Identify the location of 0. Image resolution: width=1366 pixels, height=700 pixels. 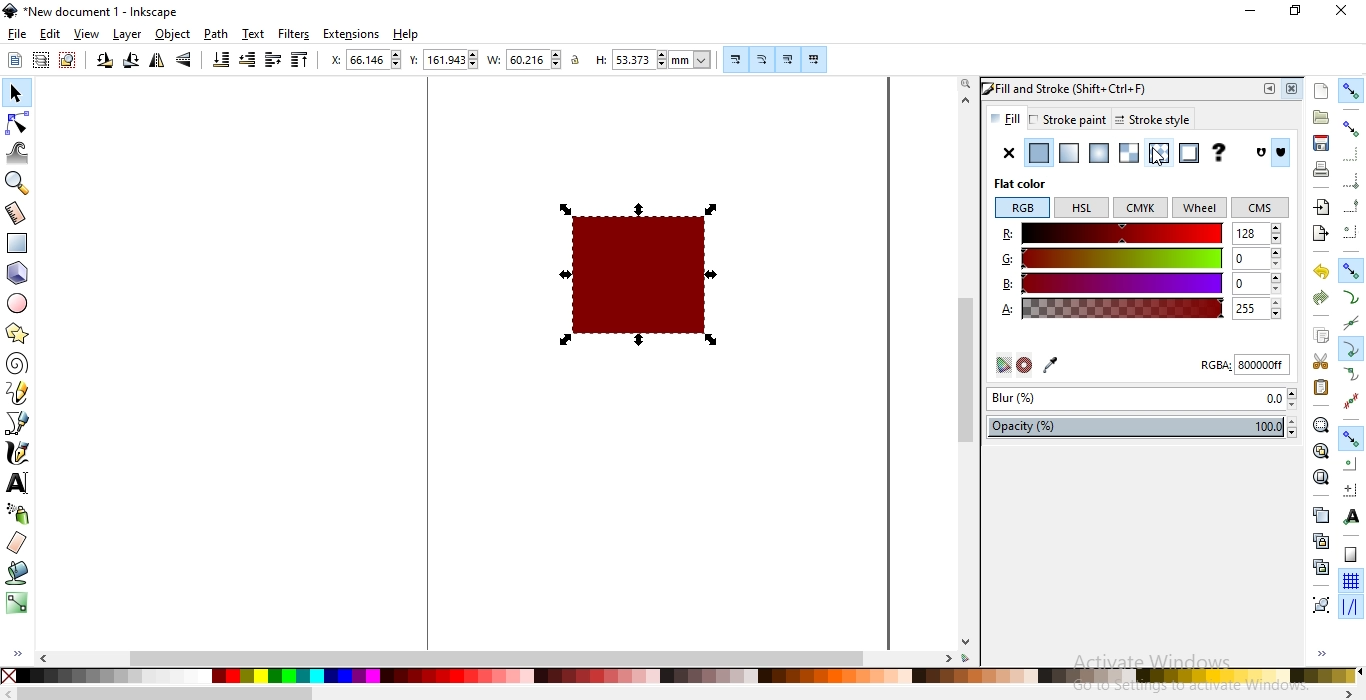
(1255, 258).